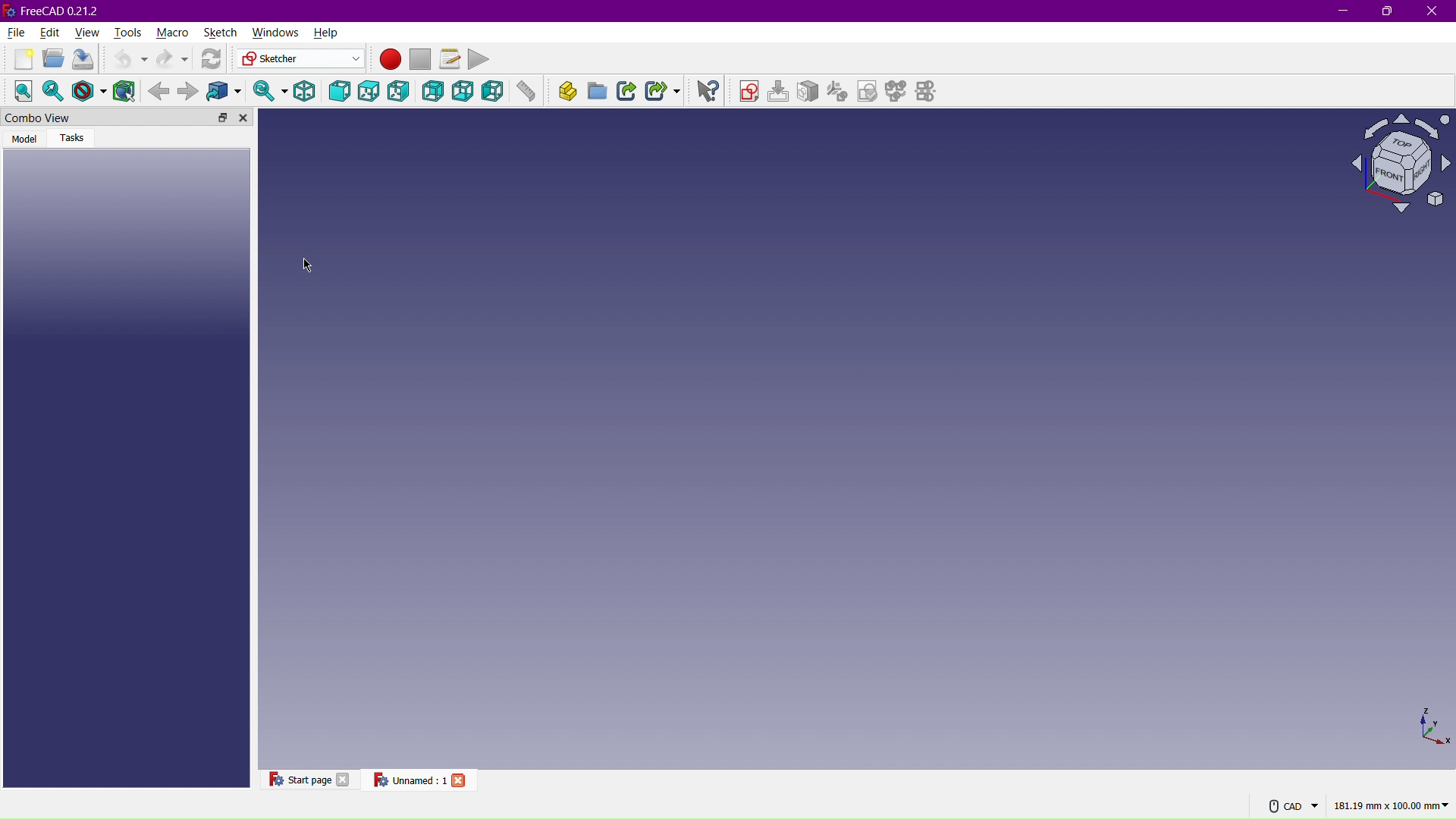  What do you see at coordinates (51, 30) in the screenshot?
I see `Edit` at bounding box center [51, 30].